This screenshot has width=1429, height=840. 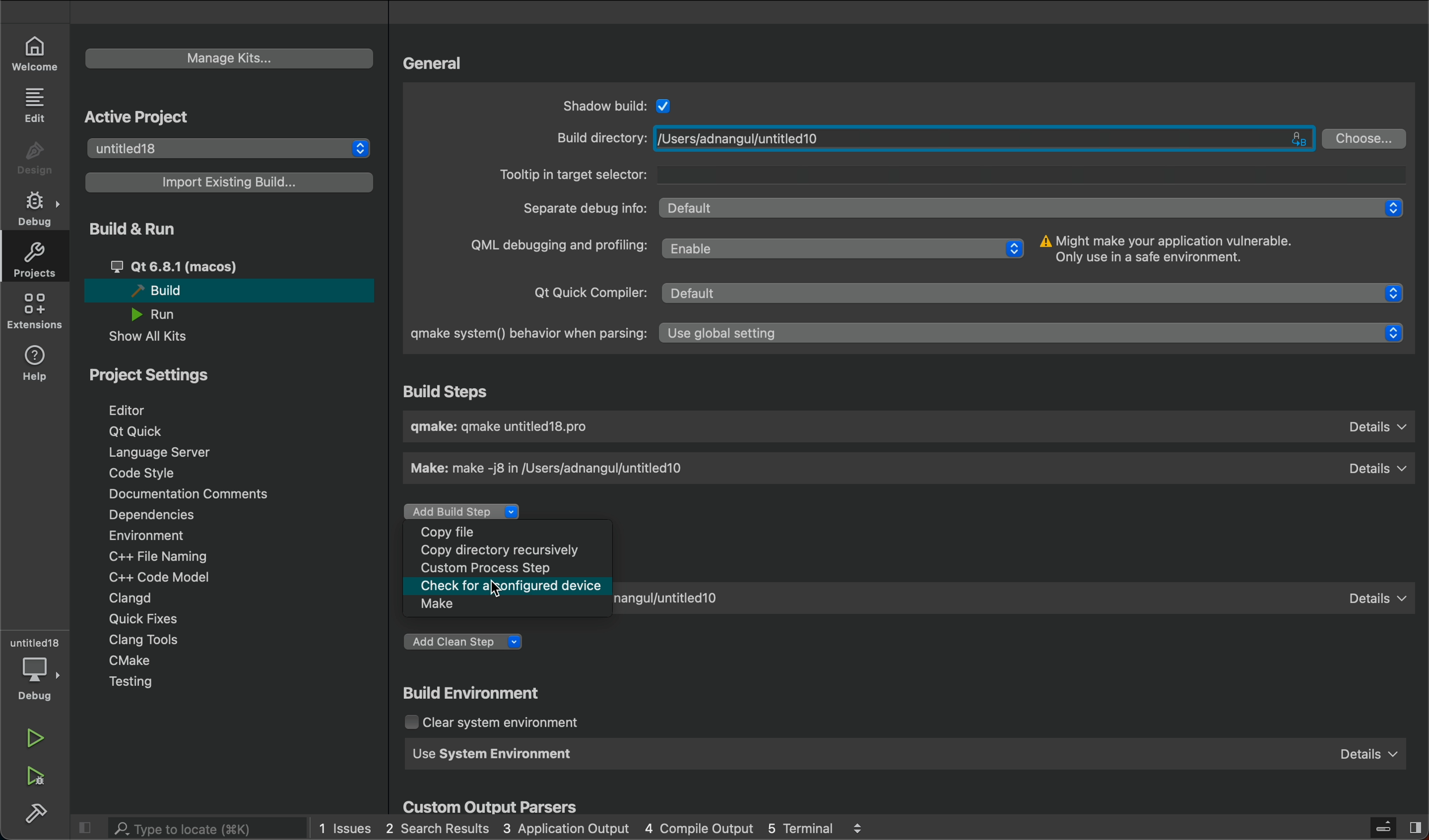 What do you see at coordinates (598, 139) in the screenshot?
I see `Build directory:` at bounding box center [598, 139].